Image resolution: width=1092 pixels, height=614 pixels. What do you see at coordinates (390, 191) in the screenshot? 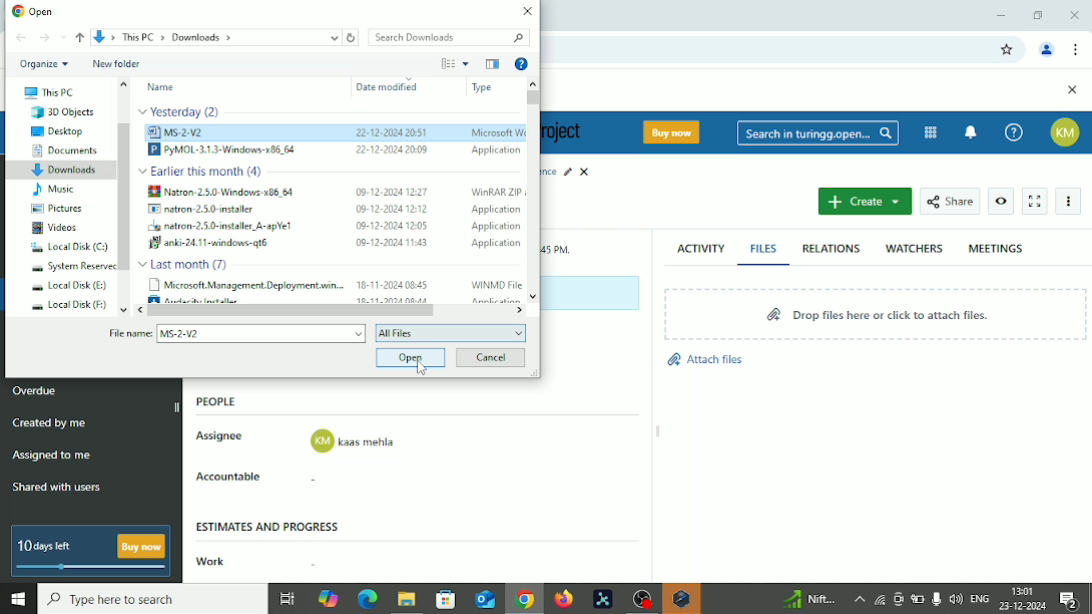
I see `09-12-2024 12:27` at bounding box center [390, 191].